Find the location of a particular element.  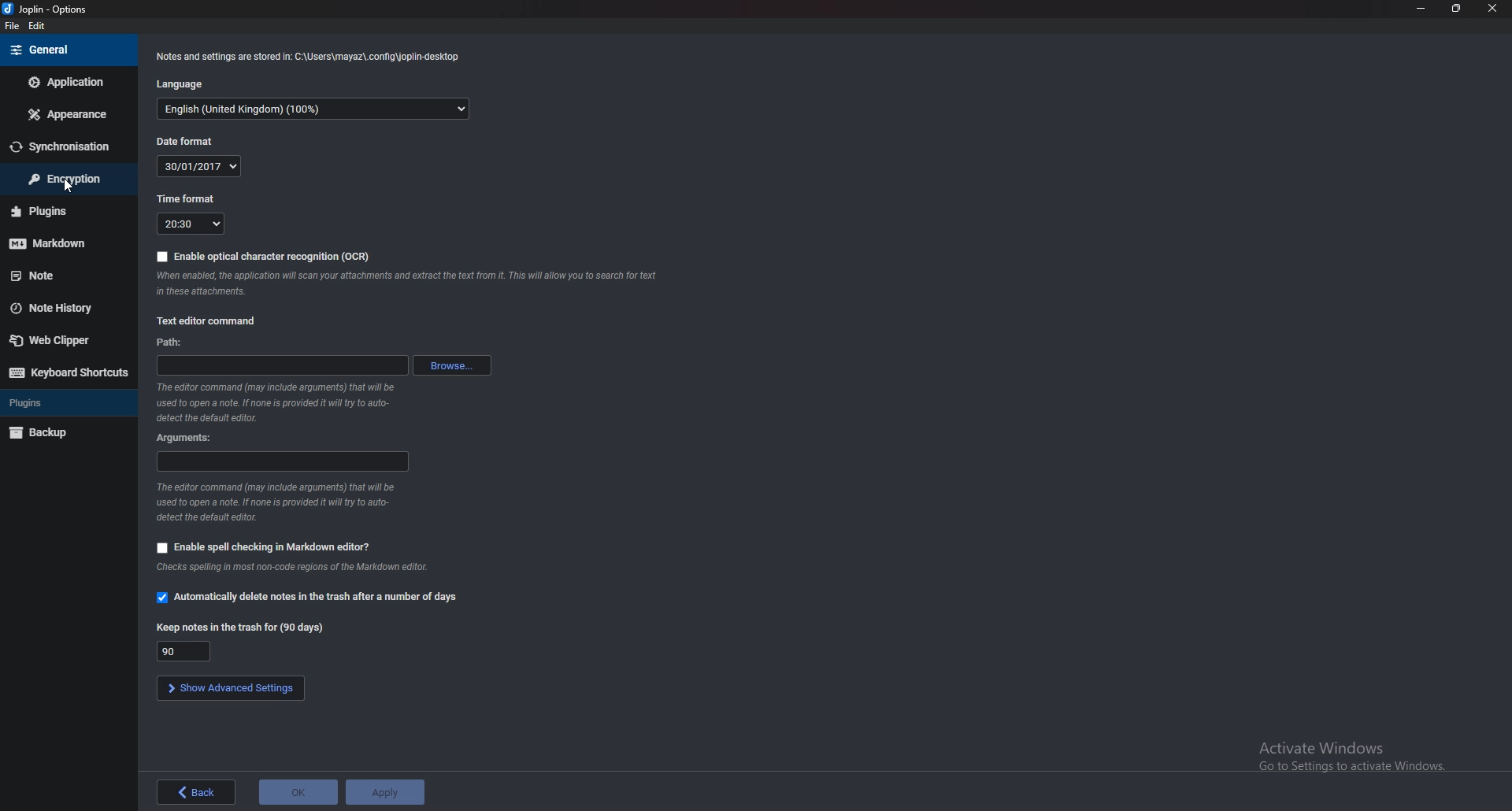

time format is located at coordinates (185, 200).